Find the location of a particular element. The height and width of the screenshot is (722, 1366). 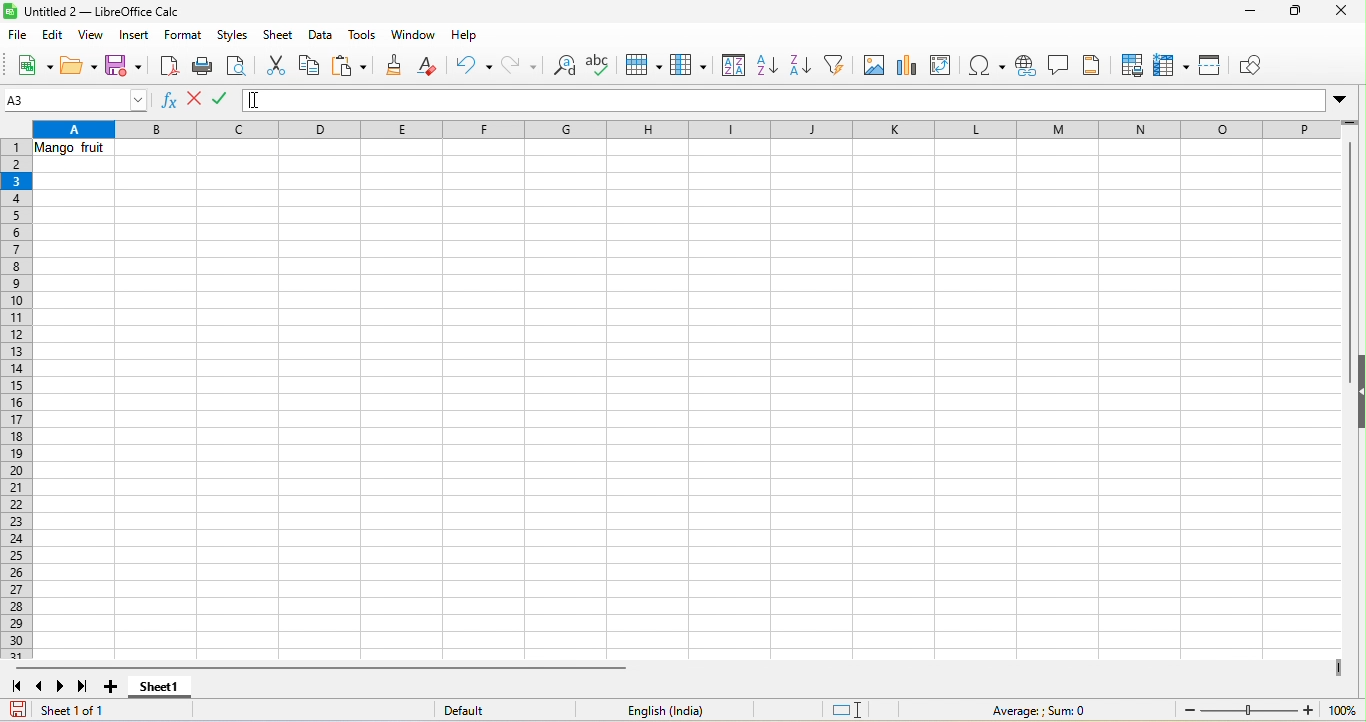

sheet 1 of 1 is located at coordinates (66, 710).